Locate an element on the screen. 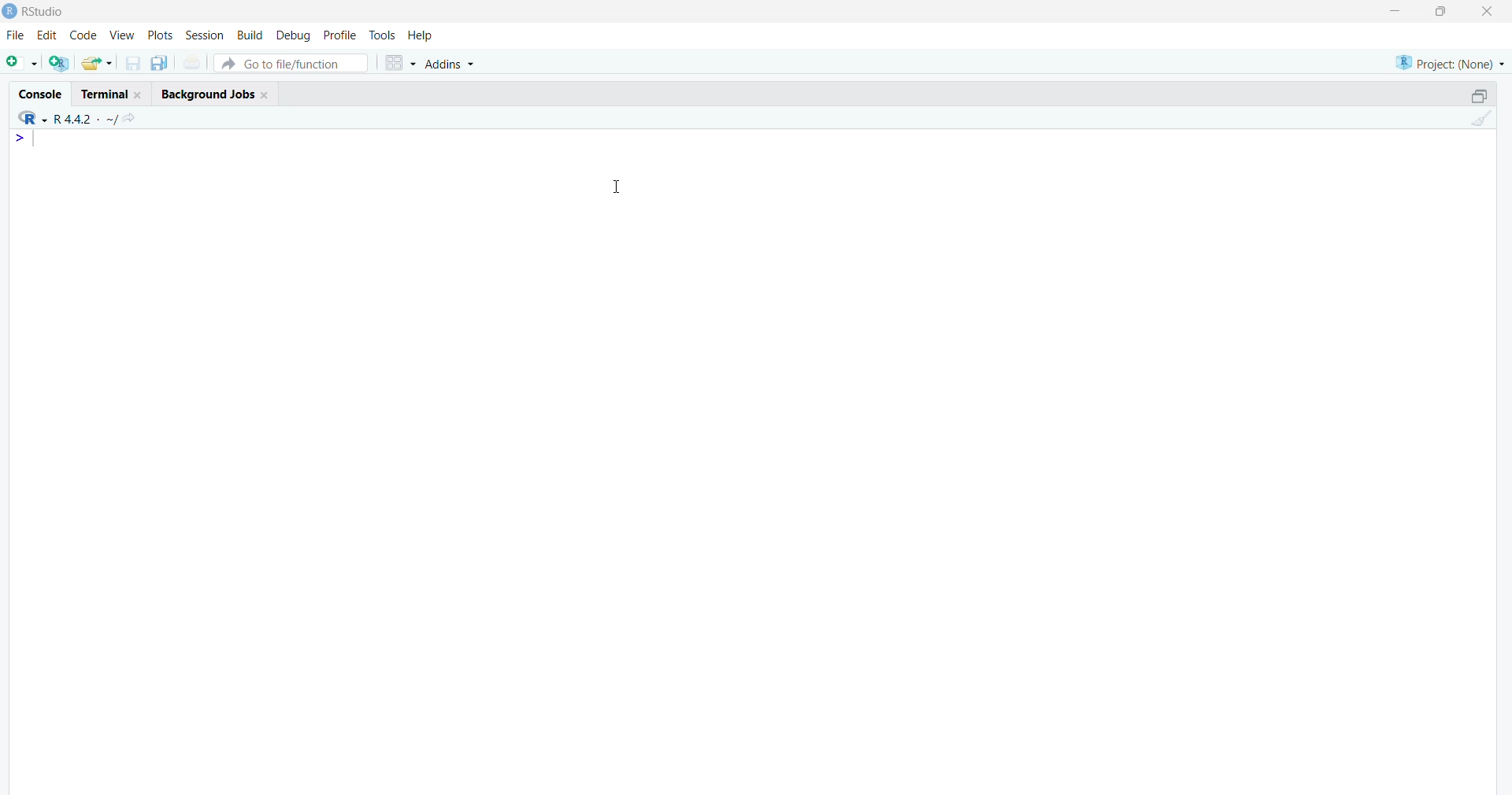 The width and height of the screenshot is (1512, 795). console is located at coordinates (39, 96).